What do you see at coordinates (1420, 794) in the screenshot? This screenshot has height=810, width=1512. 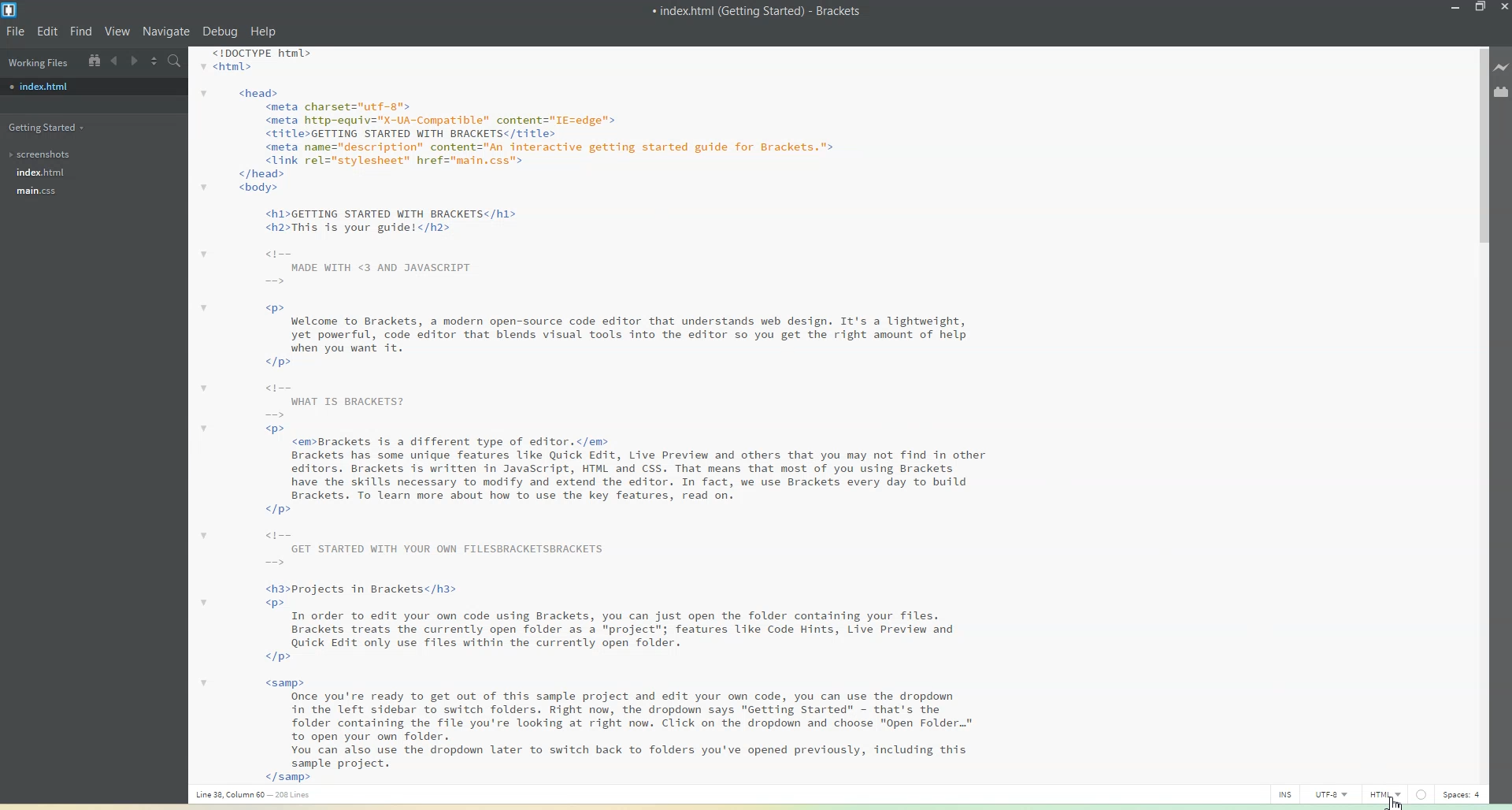 I see `space` at bounding box center [1420, 794].